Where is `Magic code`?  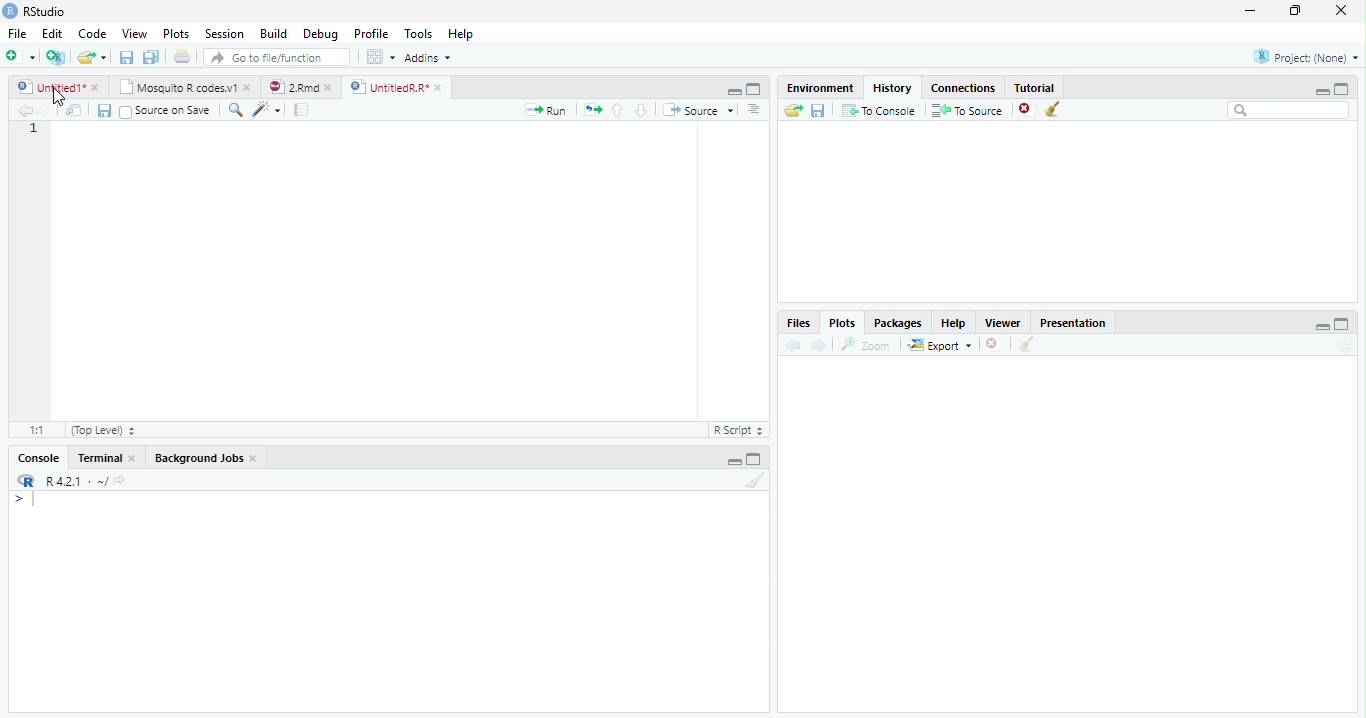 Magic code is located at coordinates (267, 111).